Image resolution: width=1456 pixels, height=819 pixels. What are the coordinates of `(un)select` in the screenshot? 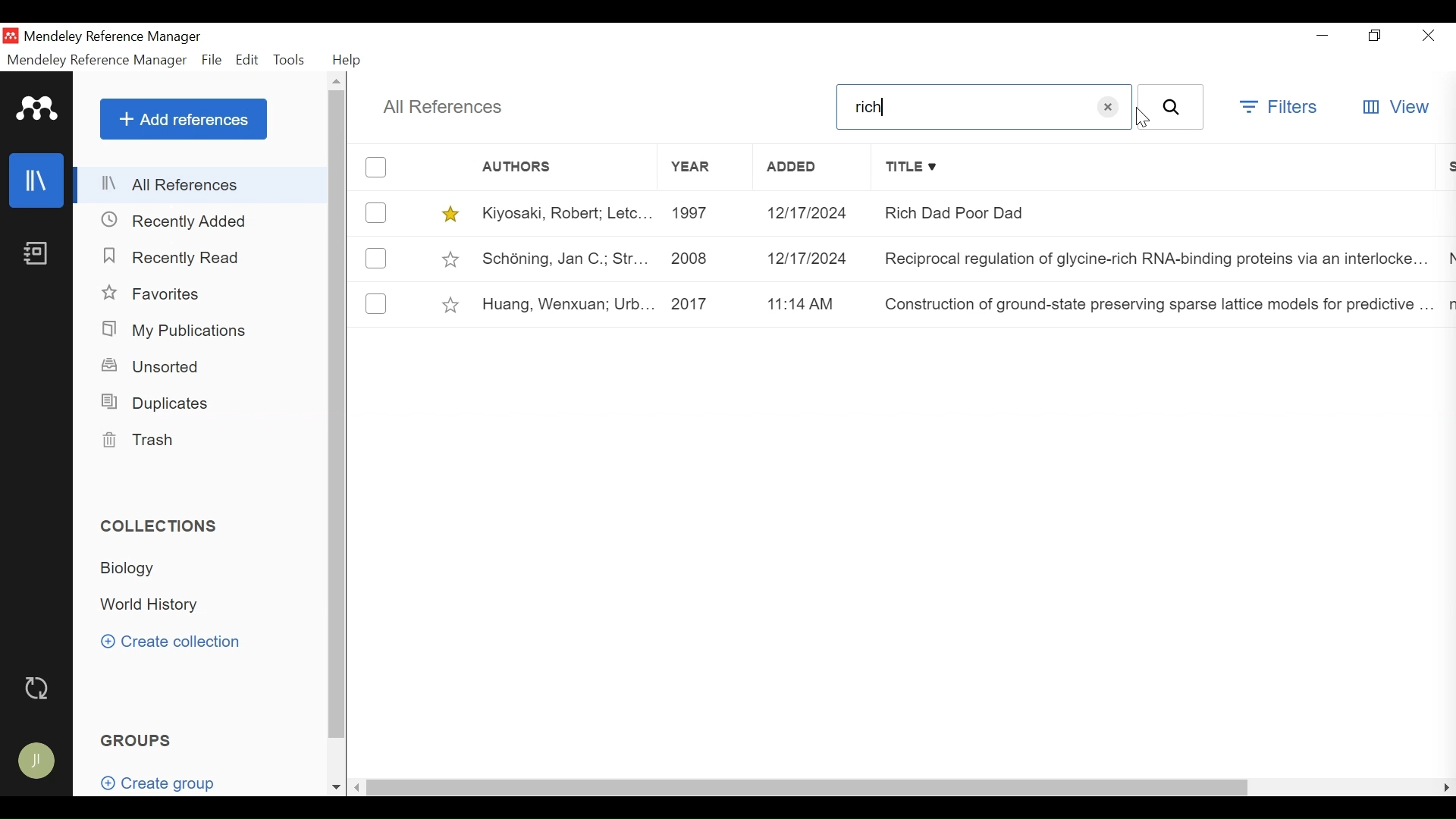 It's located at (376, 303).